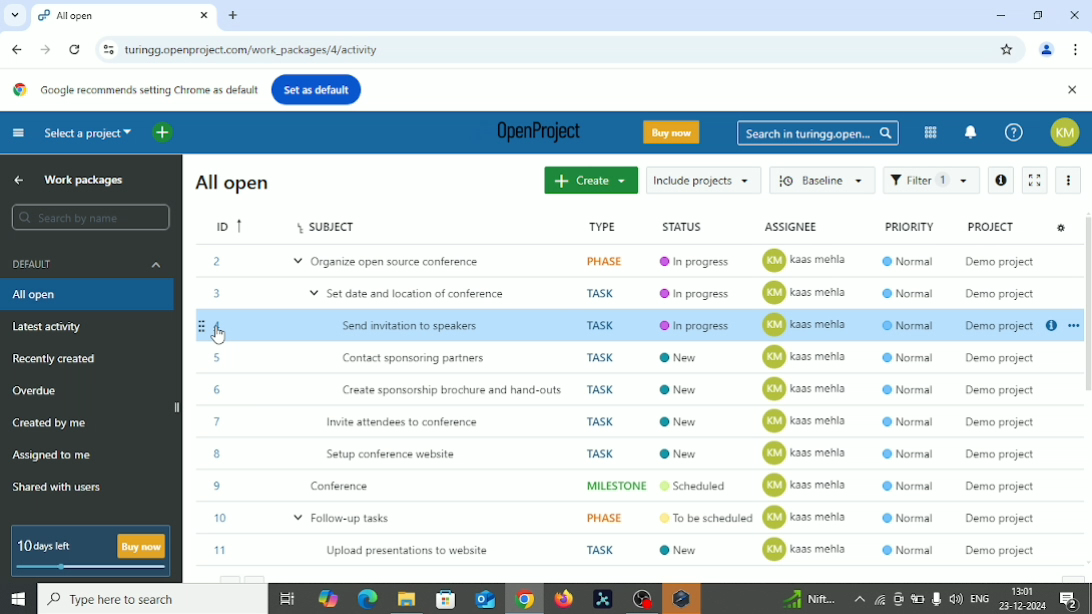  I want to click on hide sidebar, so click(178, 406).